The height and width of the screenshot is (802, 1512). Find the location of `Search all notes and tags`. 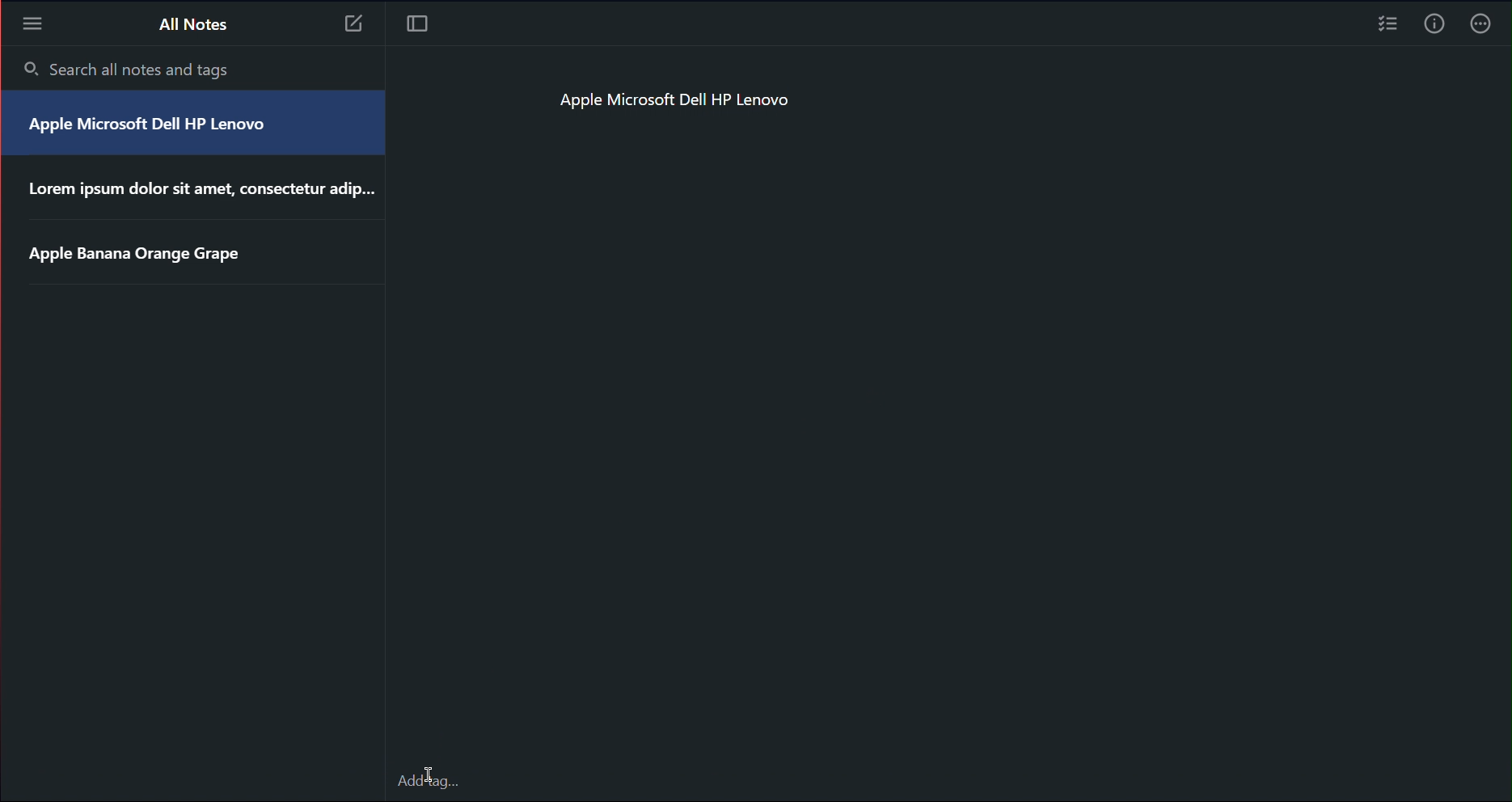

Search all notes and tags is located at coordinates (130, 70).